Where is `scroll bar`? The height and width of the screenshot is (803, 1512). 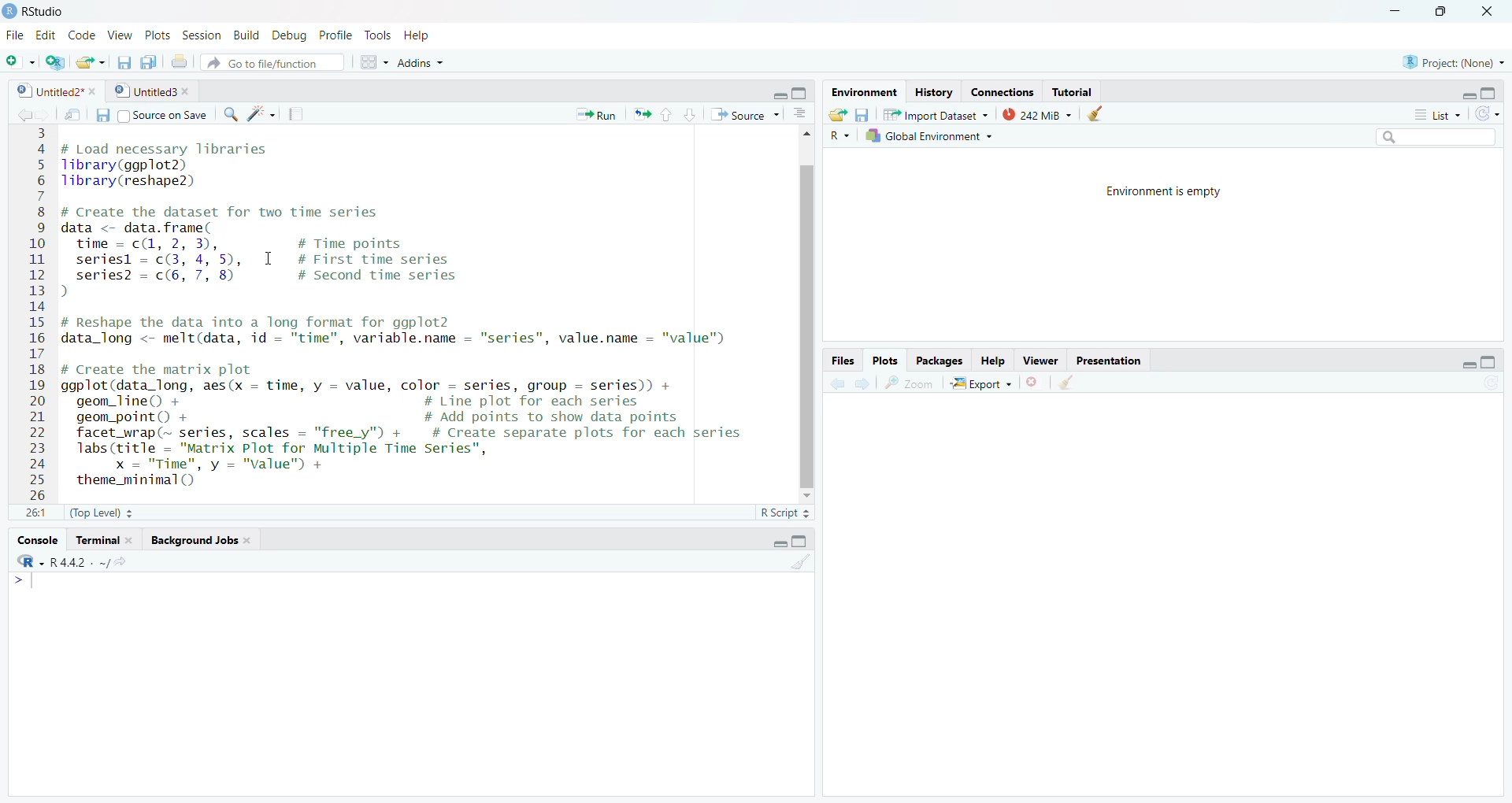
scroll bar is located at coordinates (808, 325).